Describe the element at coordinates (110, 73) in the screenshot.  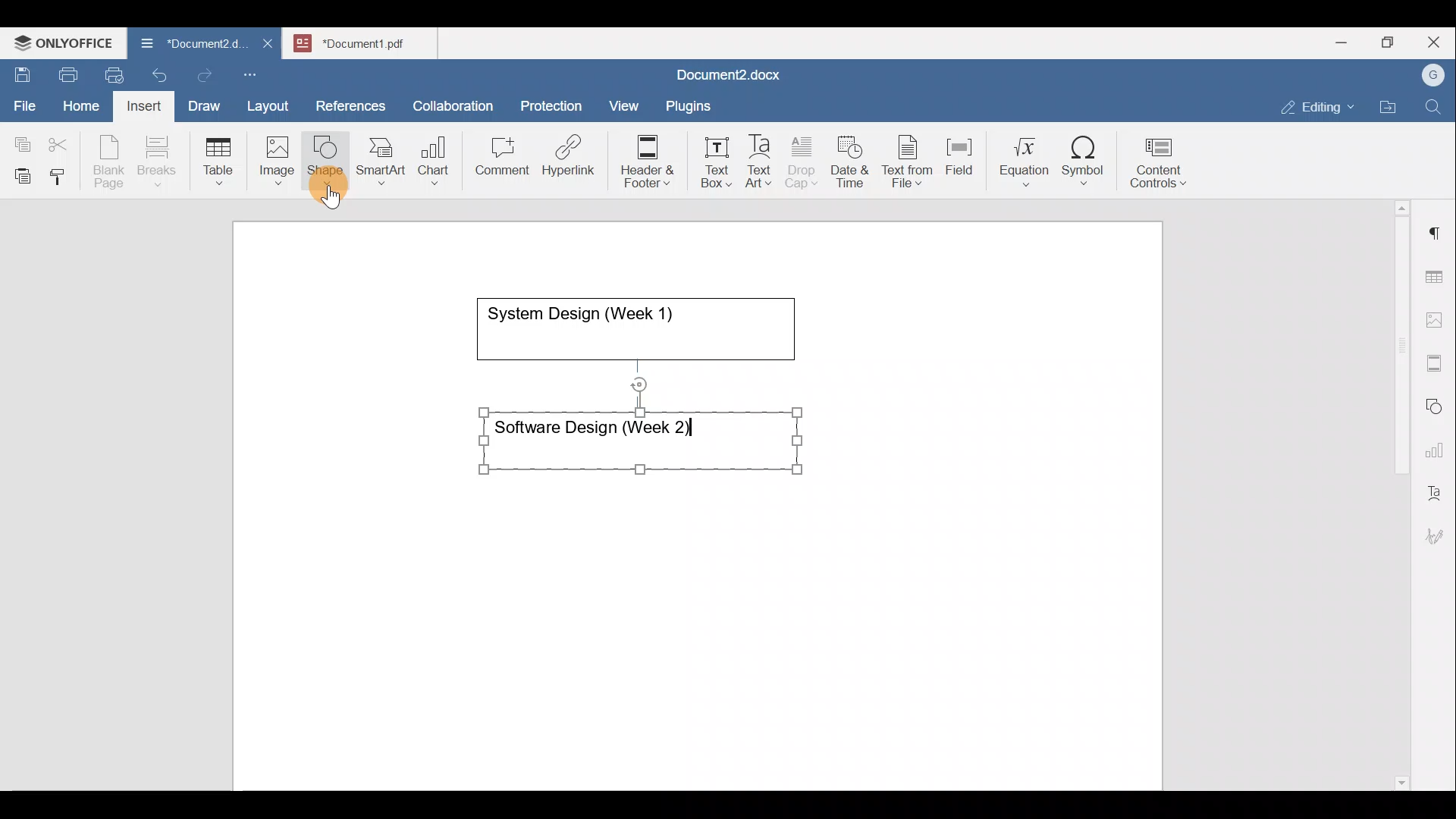
I see `Quick print` at that location.